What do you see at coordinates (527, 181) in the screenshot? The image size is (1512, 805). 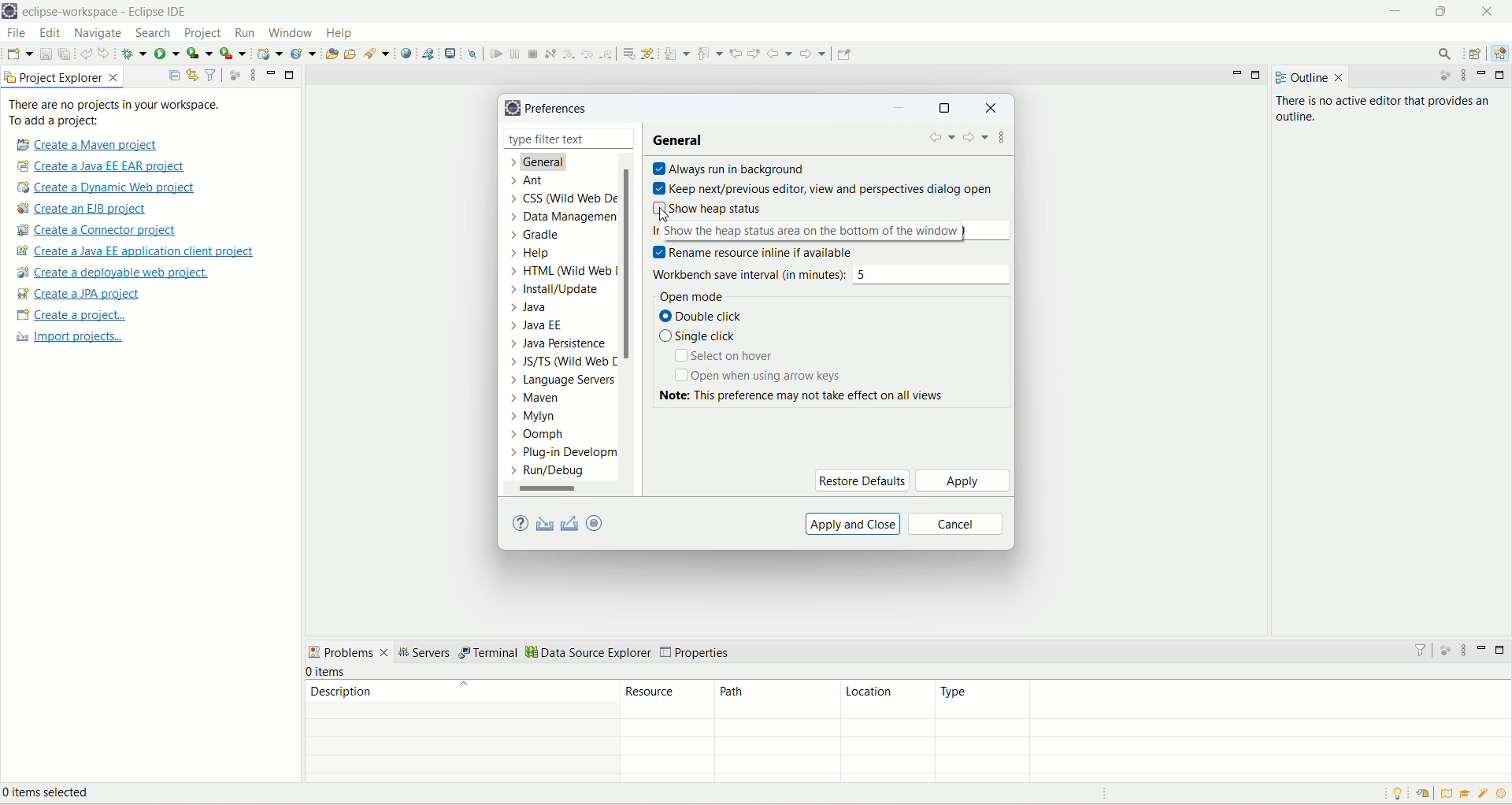 I see `ant` at bounding box center [527, 181].